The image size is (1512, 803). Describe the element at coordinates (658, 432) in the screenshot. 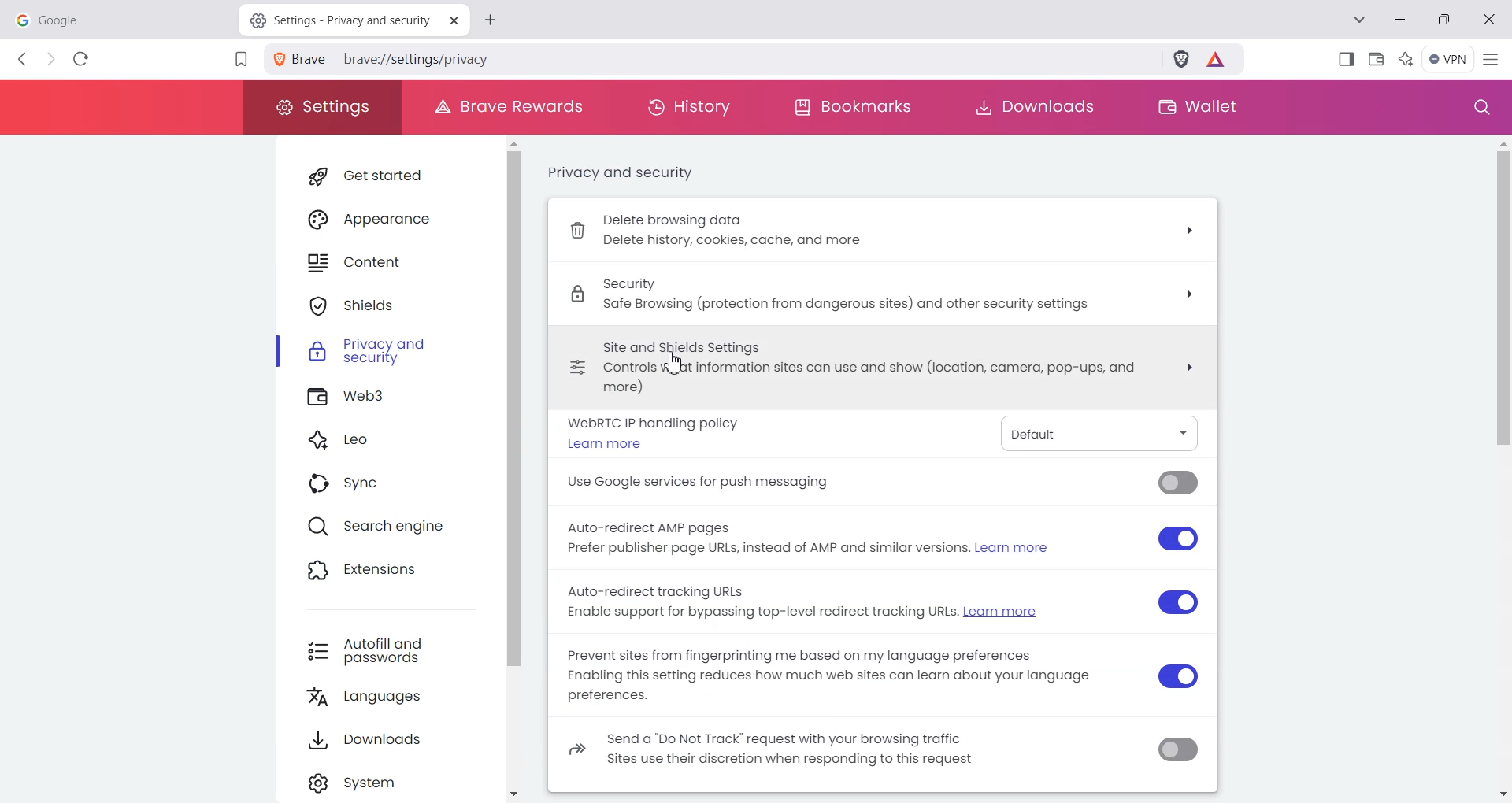

I see `WeDbRTC IP handling policy. Learn more` at that location.